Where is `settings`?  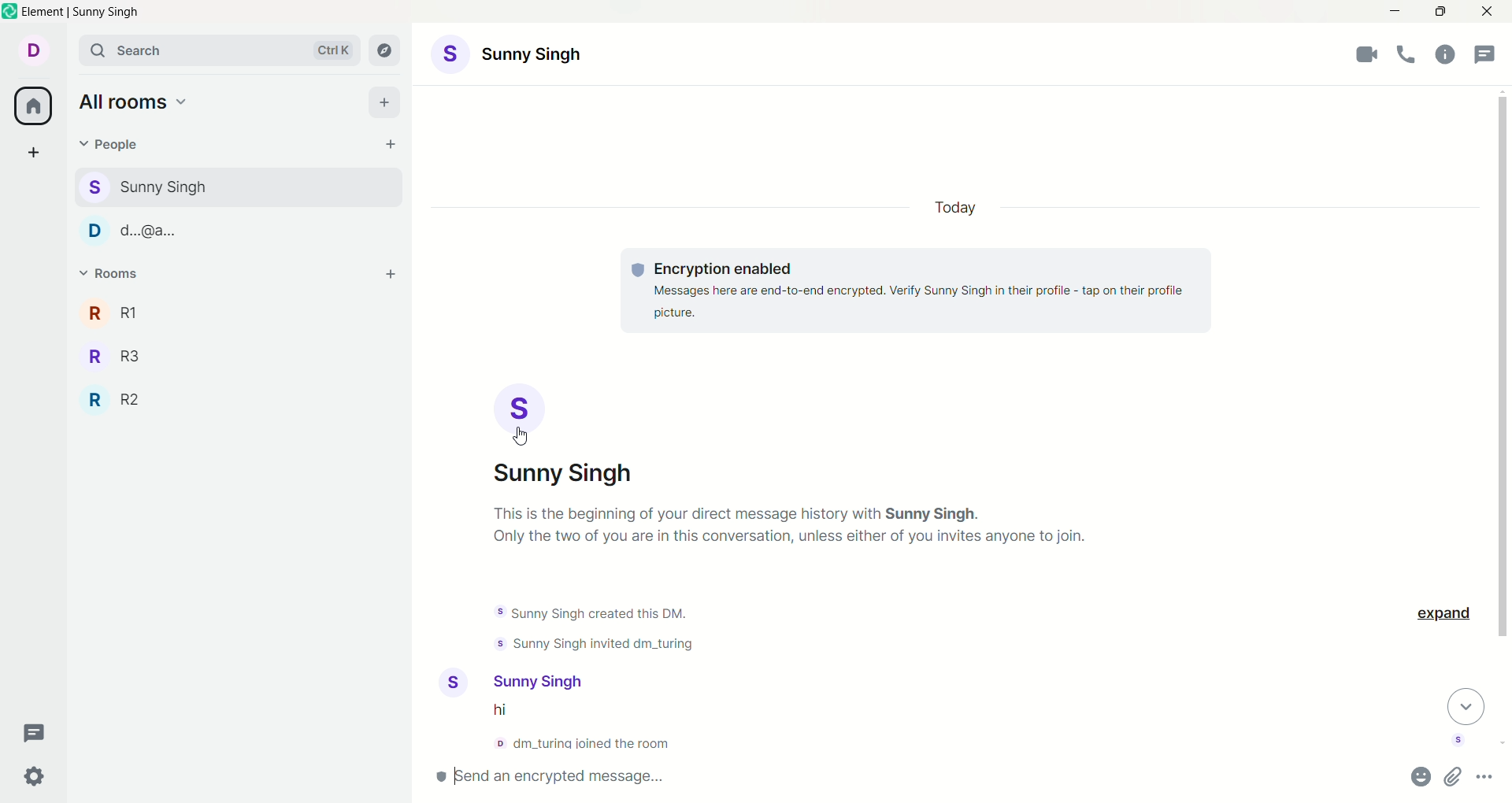 settings is located at coordinates (37, 775).